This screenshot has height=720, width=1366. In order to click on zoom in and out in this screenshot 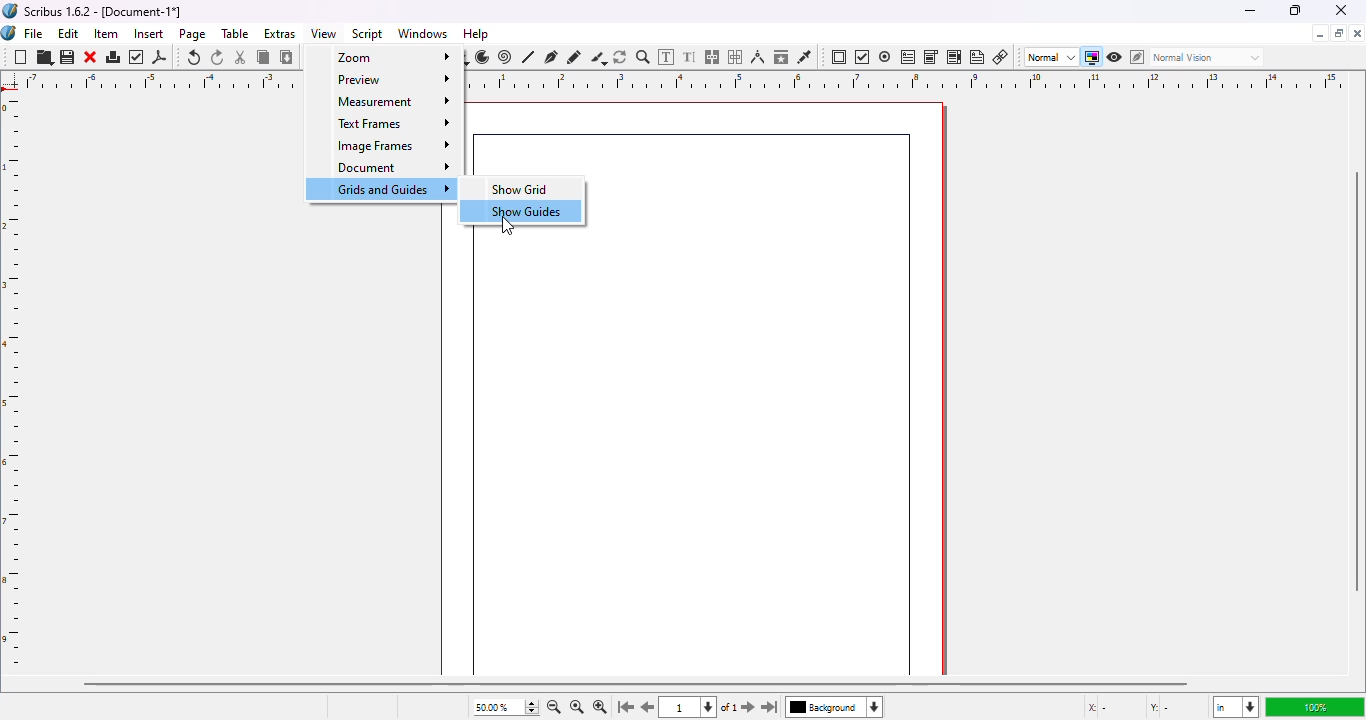, I will do `click(530, 707)`.